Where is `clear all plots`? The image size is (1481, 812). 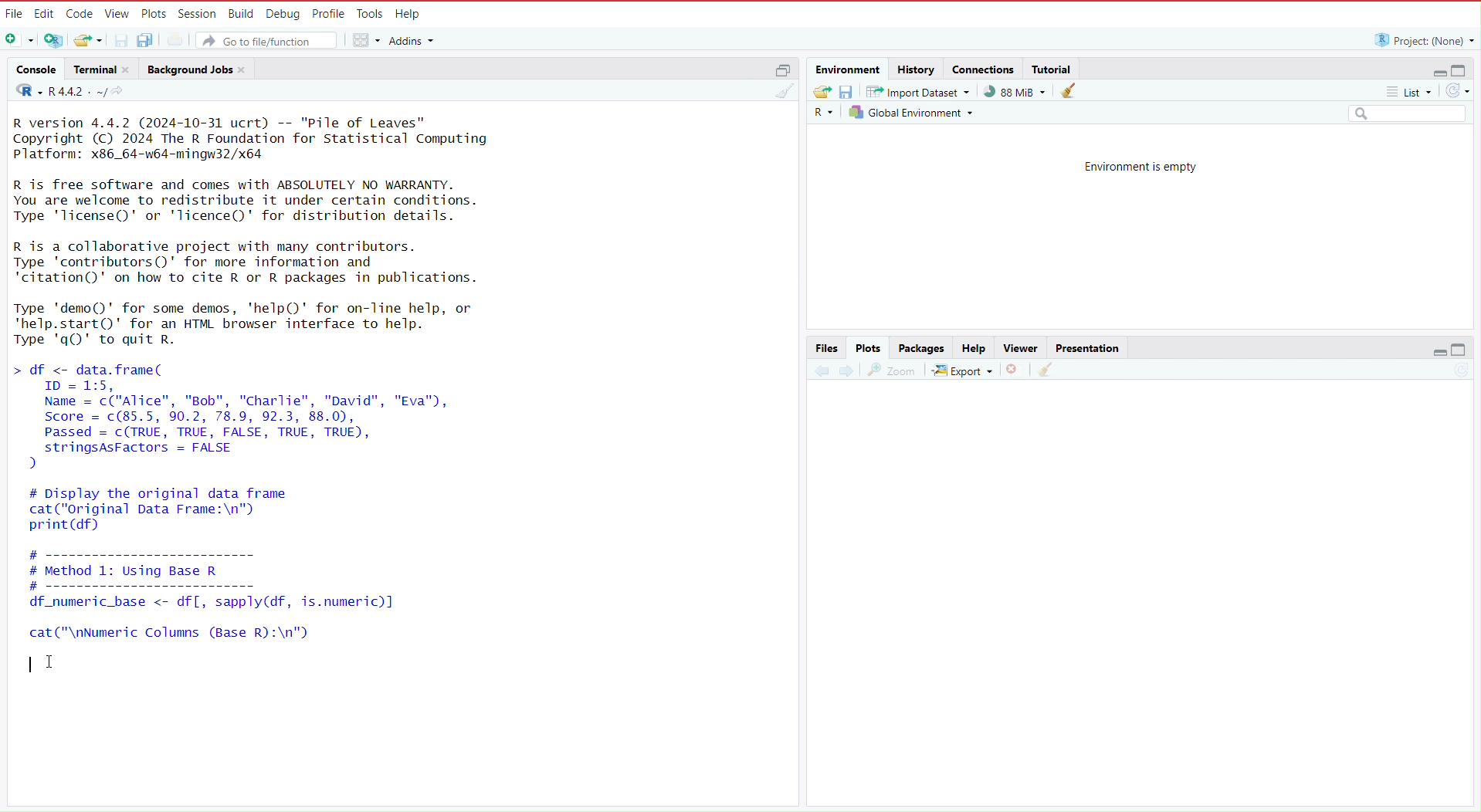 clear all plots is located at coordinates (1046, 371).